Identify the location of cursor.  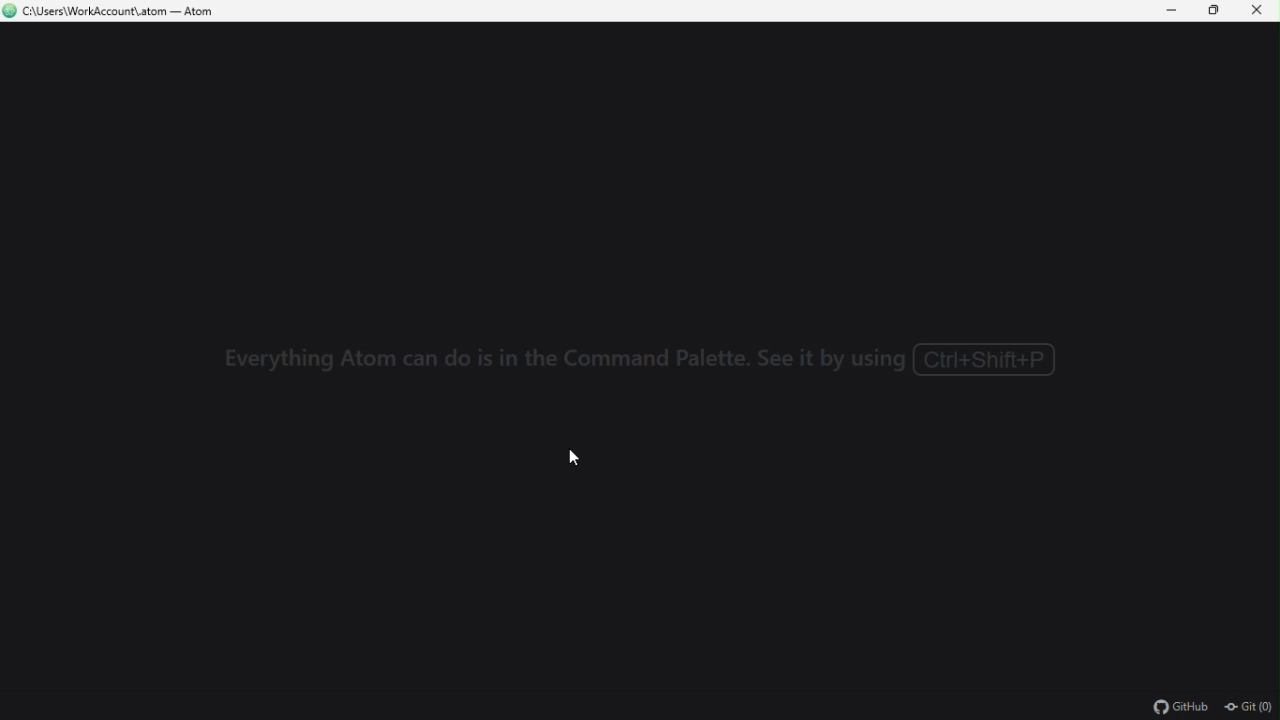
(573, 459).